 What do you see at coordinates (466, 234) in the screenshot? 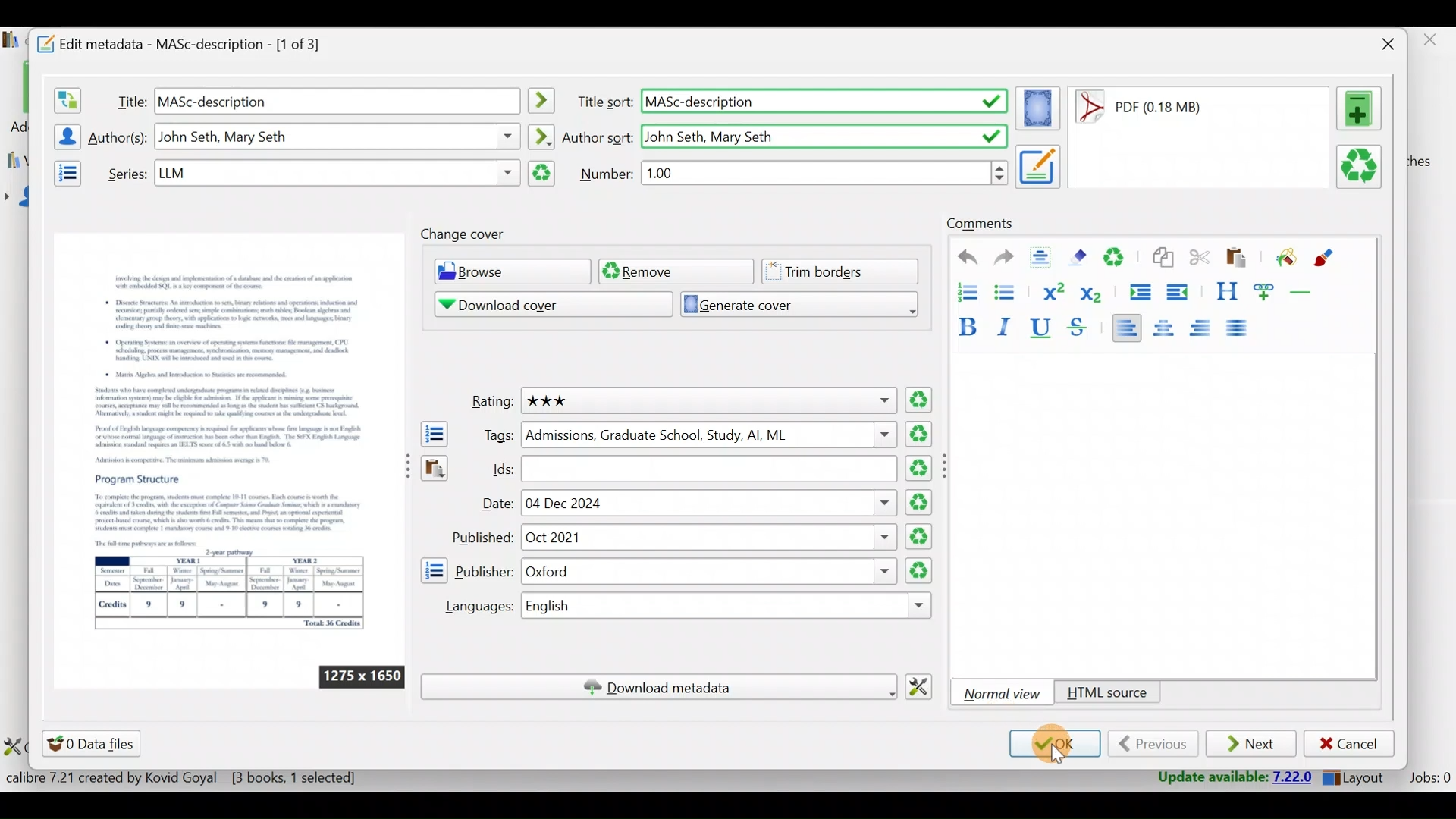
I see `Change cover` at bounding box center [466, 234].